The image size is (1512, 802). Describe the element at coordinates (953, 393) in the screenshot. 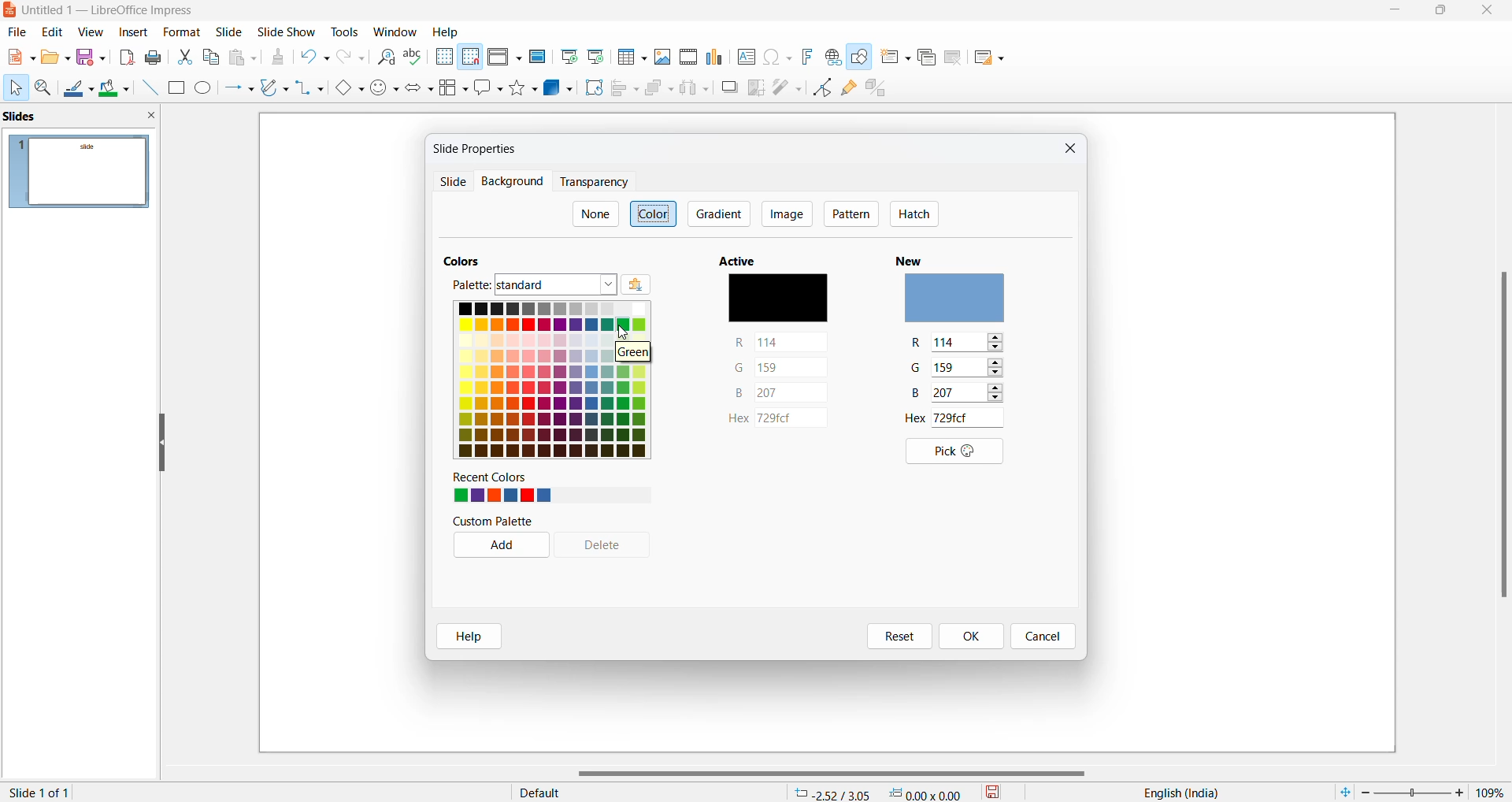

I see `B value ` at that location.